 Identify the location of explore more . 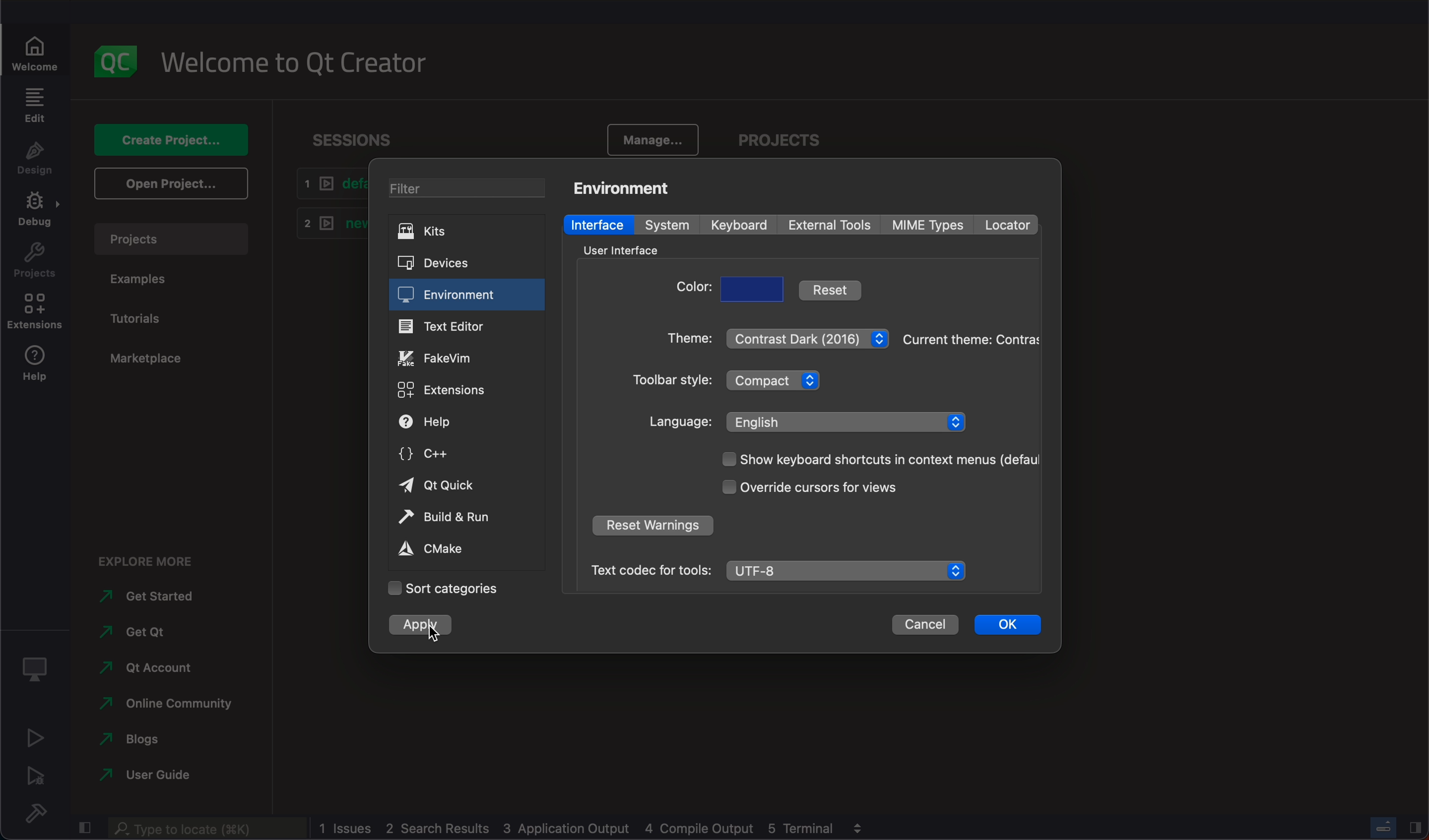
(154, 559).